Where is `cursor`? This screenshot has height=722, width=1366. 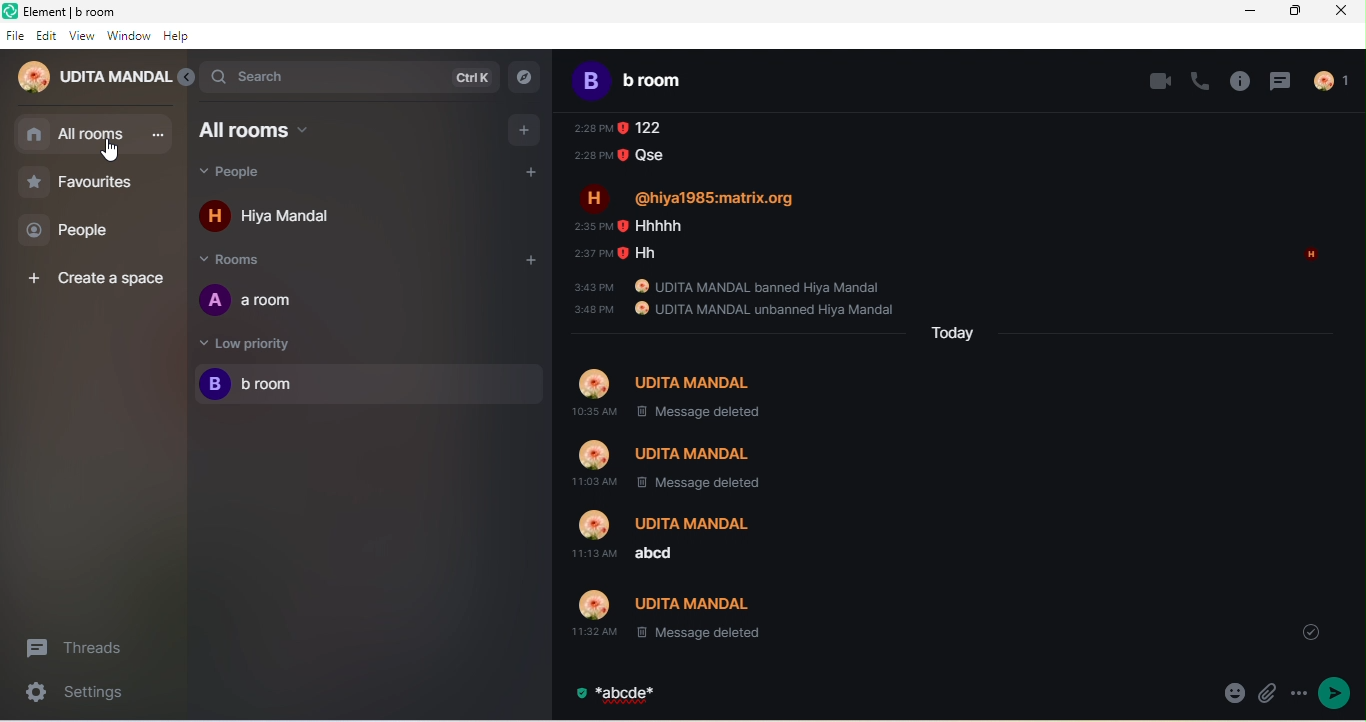 cursor is located at coordinates (111, 154).